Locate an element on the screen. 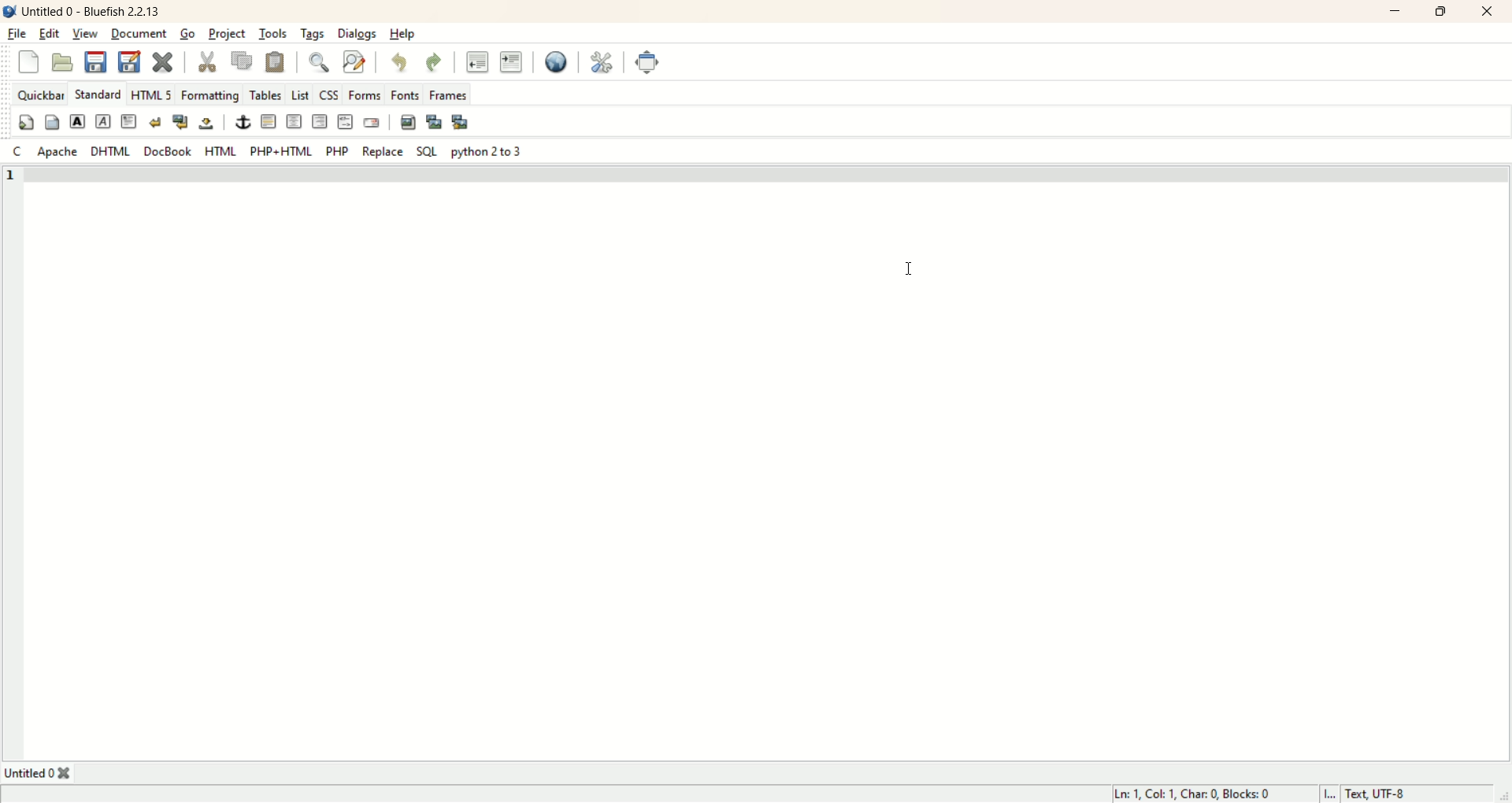 The width and height of the screenshot is (1512, 803). close current file is located at coordinates (161, 64).